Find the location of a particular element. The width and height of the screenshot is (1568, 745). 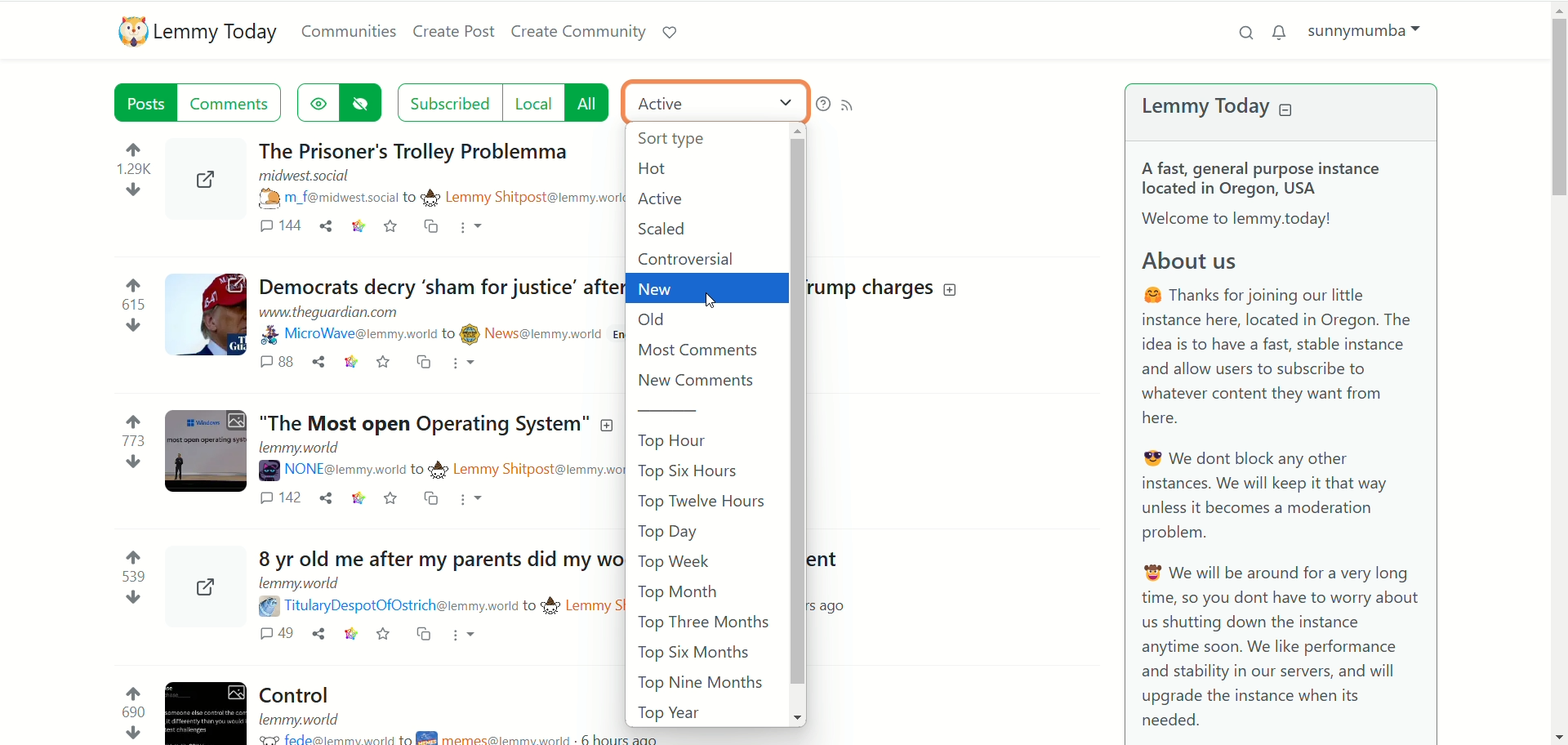

NONE@lemmy.world to Lemmy Shitpost@lemmy.world is located at coordinates (448, 470).